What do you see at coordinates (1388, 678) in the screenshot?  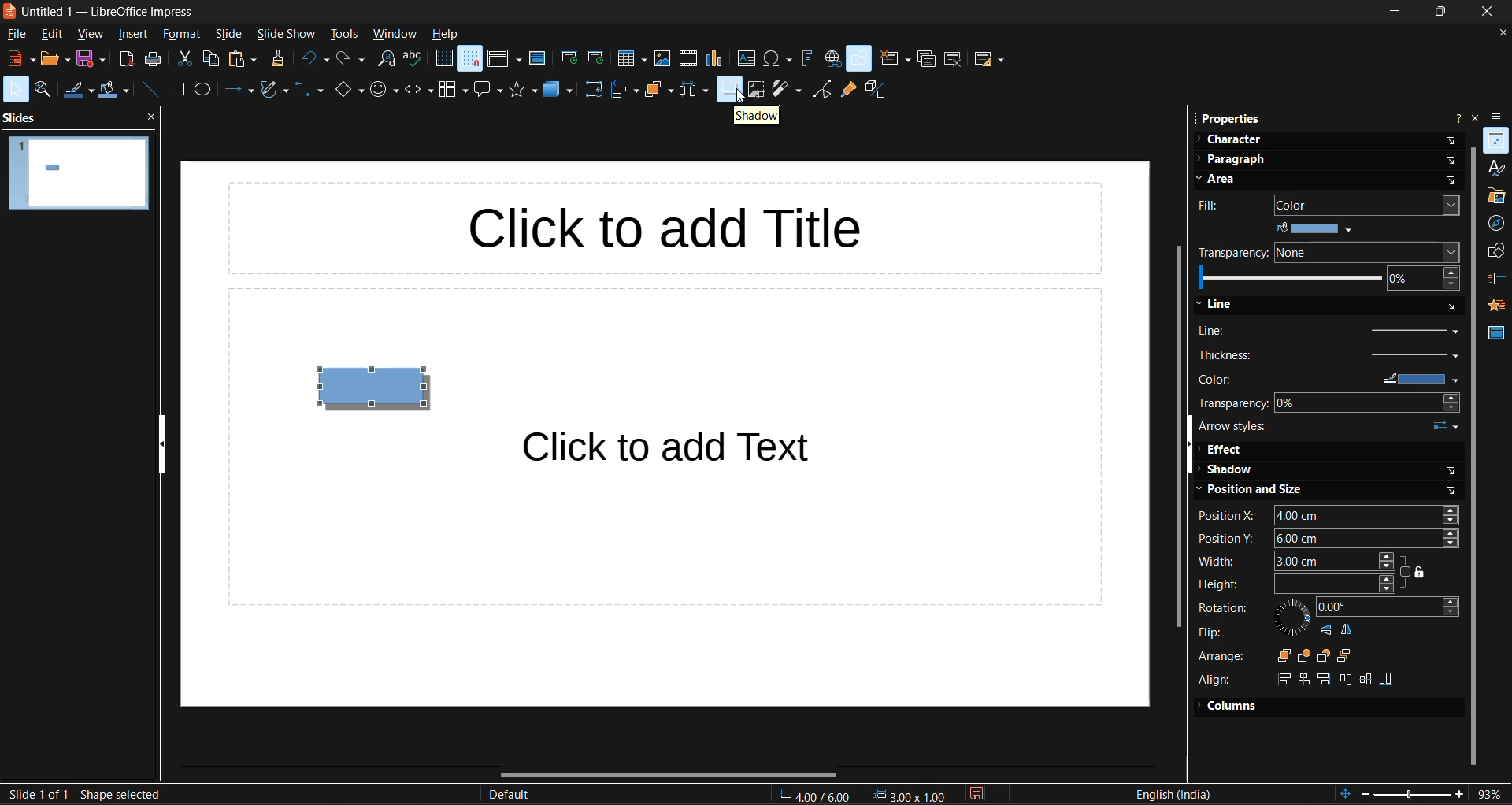 I see `bottom` at bounding box center [1388, 678].